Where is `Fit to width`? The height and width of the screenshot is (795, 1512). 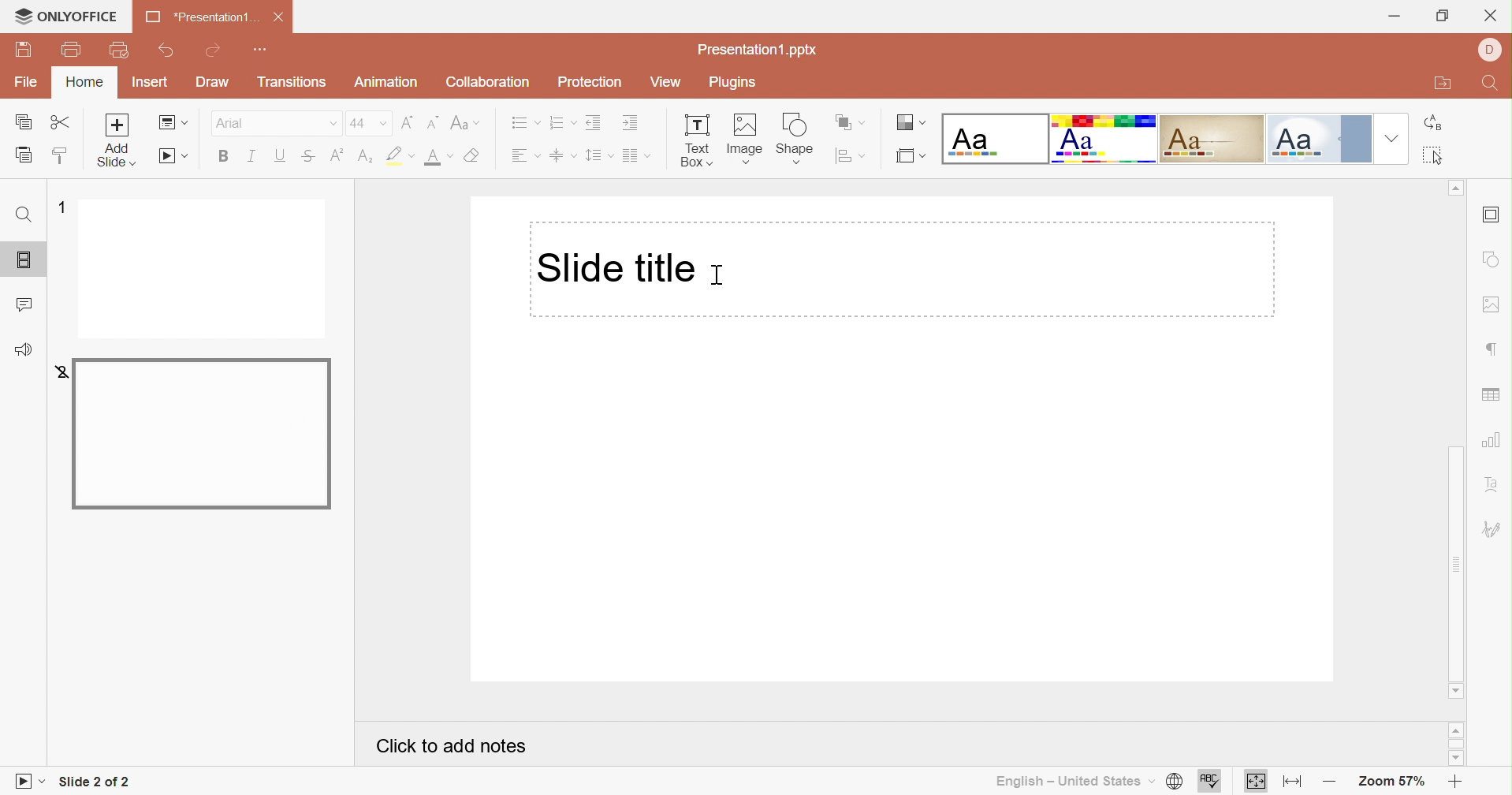
Fit to width is located at coordinates (1294, 783).